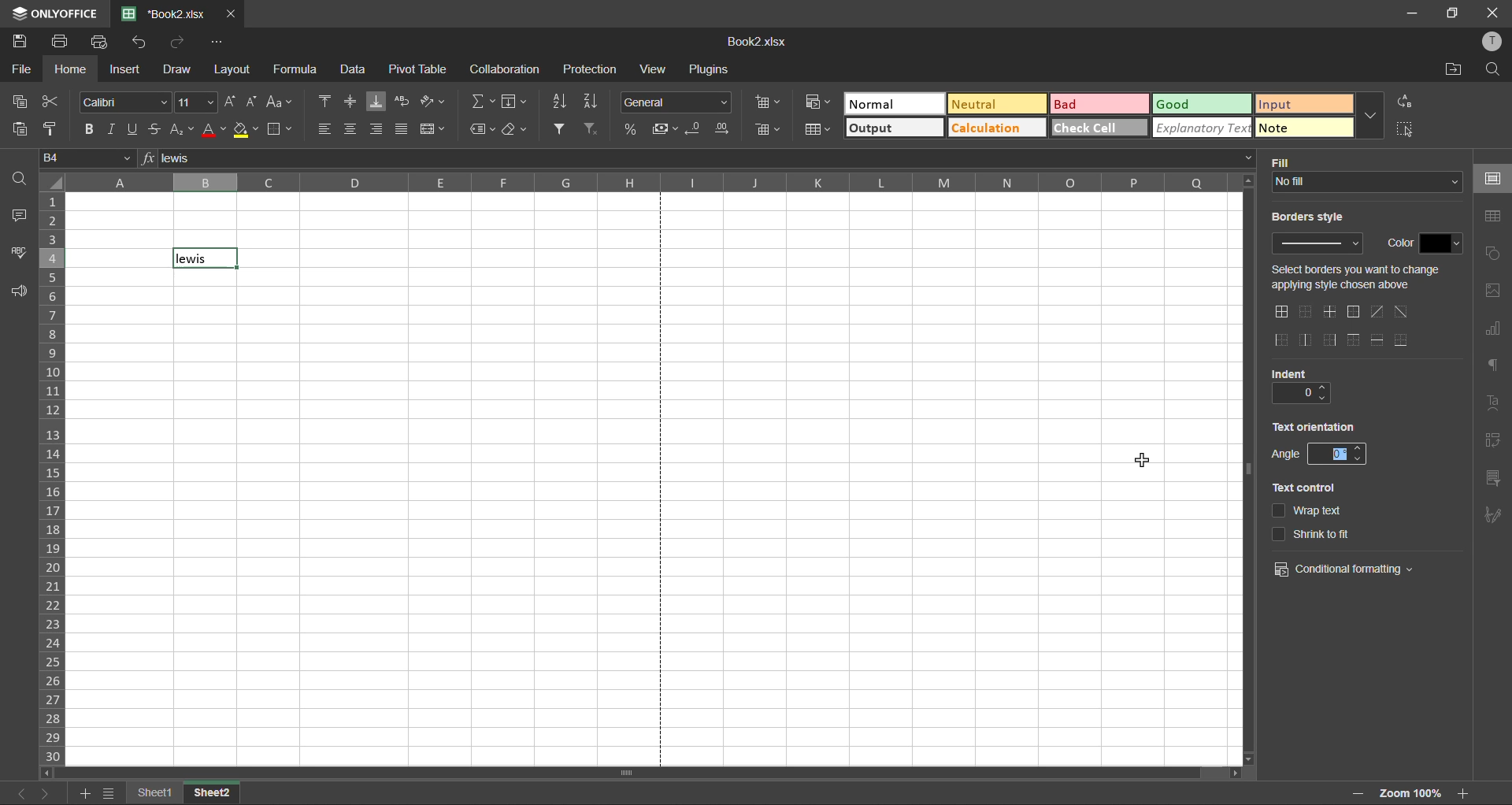  What do you see at coordinates (128, 69) in the screenshot?
I see `insert` at bounding box center [128, 69].